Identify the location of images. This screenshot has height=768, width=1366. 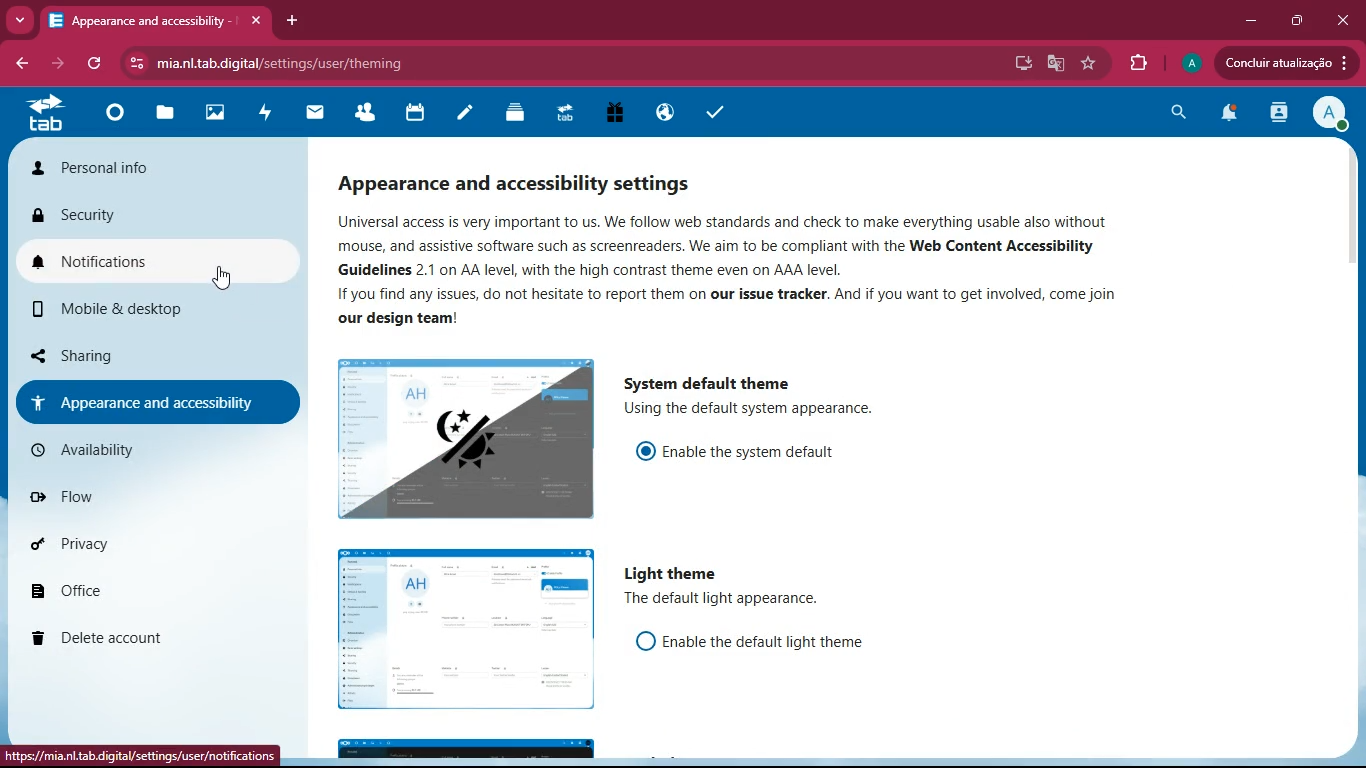
(219, 114).